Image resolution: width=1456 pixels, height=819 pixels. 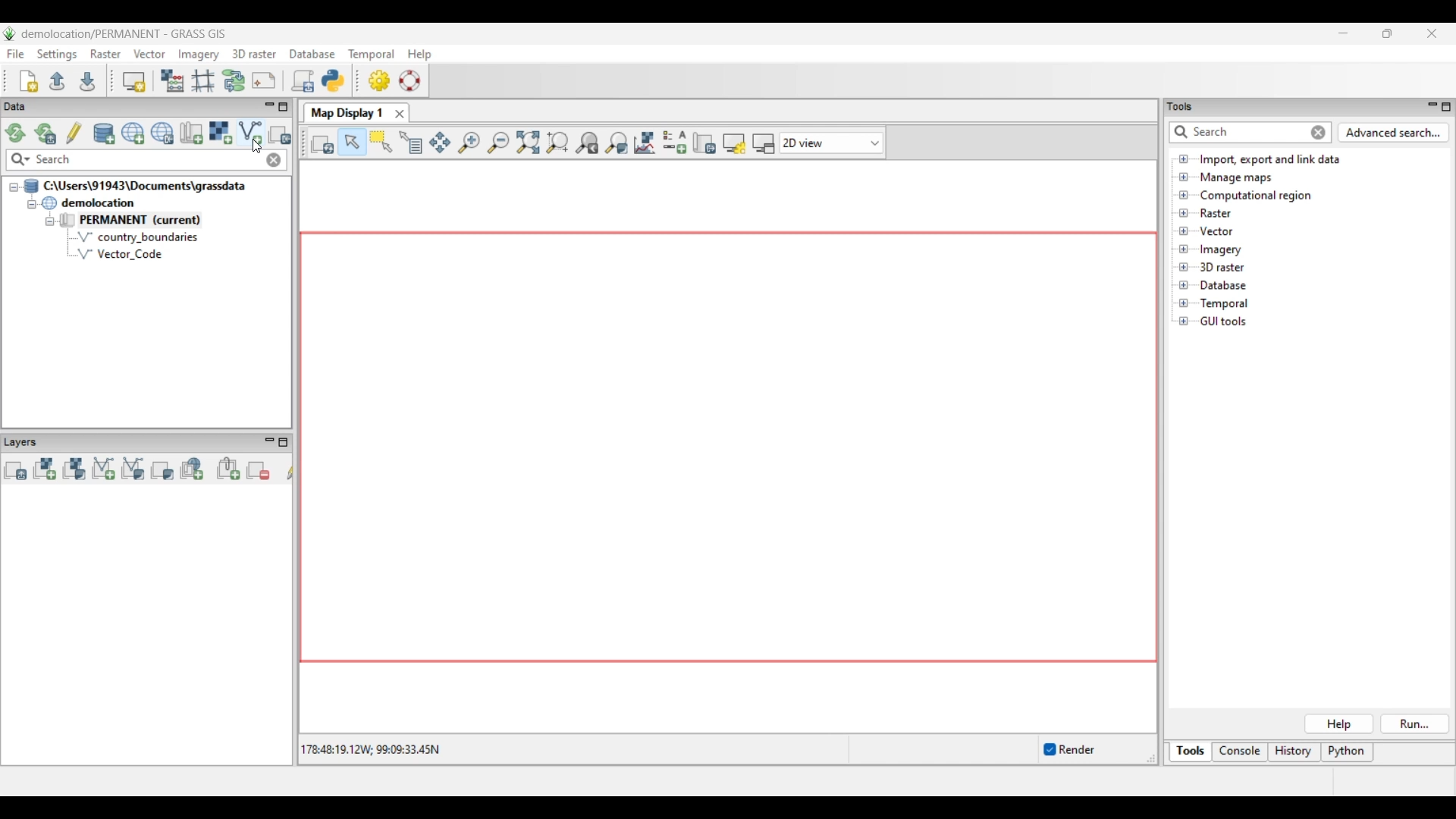 What do you see at coordinates (15, 470) in the screenshot?
I see `Add multiple vector or raster map layers` at bounding box center [15, 470].